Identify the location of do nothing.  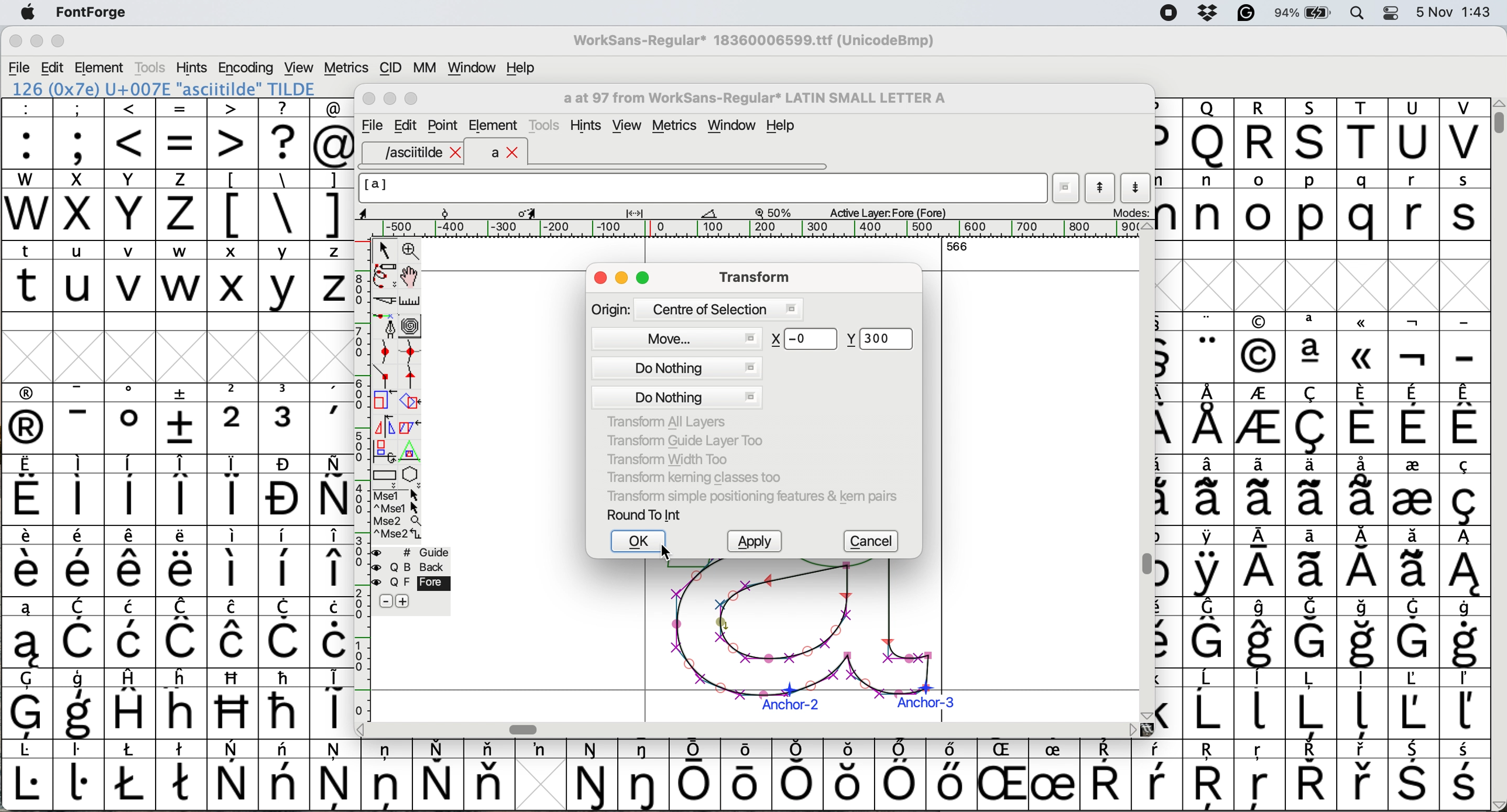
(675, 381).